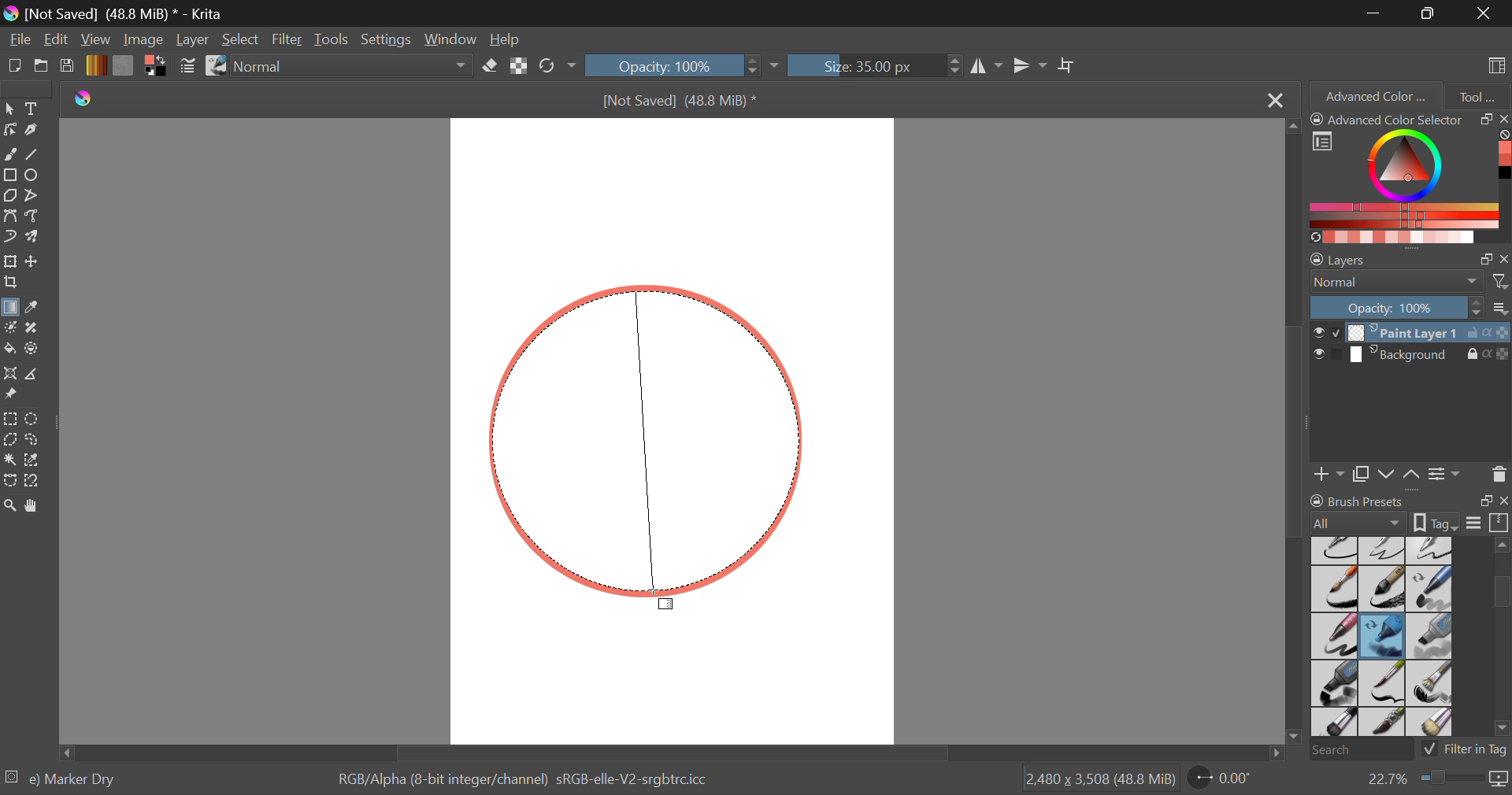  What do you see at coordinates (1410, 357) in the screenshot?
I see `Background Layer` at bounding box center [1410, 357].